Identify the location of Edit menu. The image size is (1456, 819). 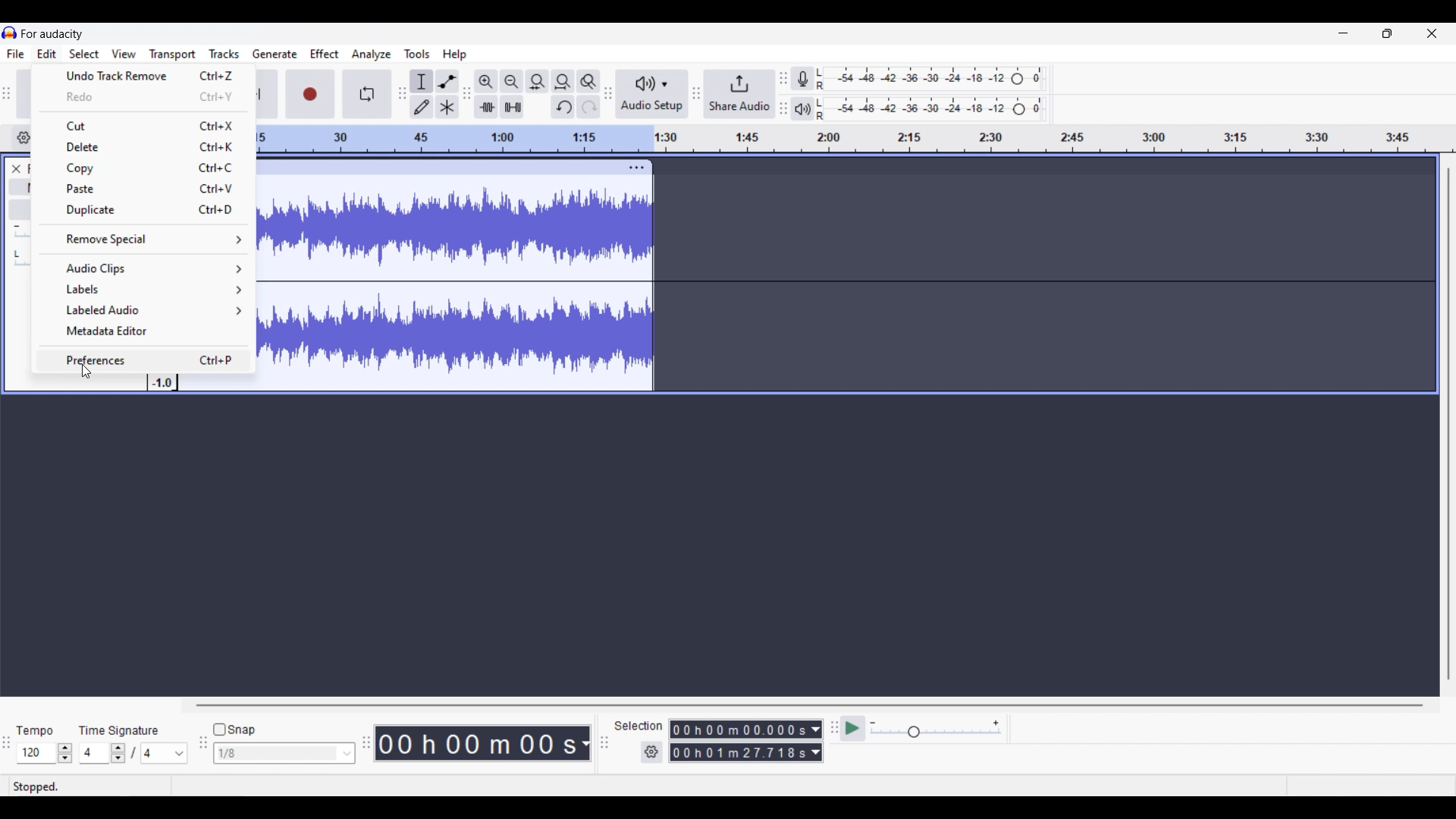
(47, 54).